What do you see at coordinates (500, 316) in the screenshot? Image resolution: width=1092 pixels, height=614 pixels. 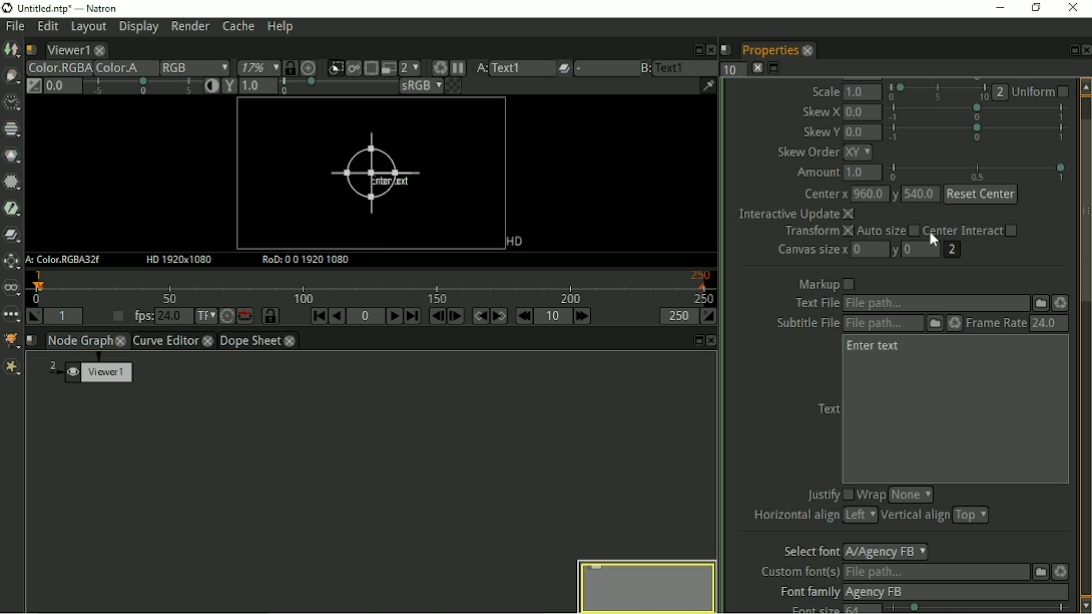 I see `Next keyframe` at bounding box center [500, 316].